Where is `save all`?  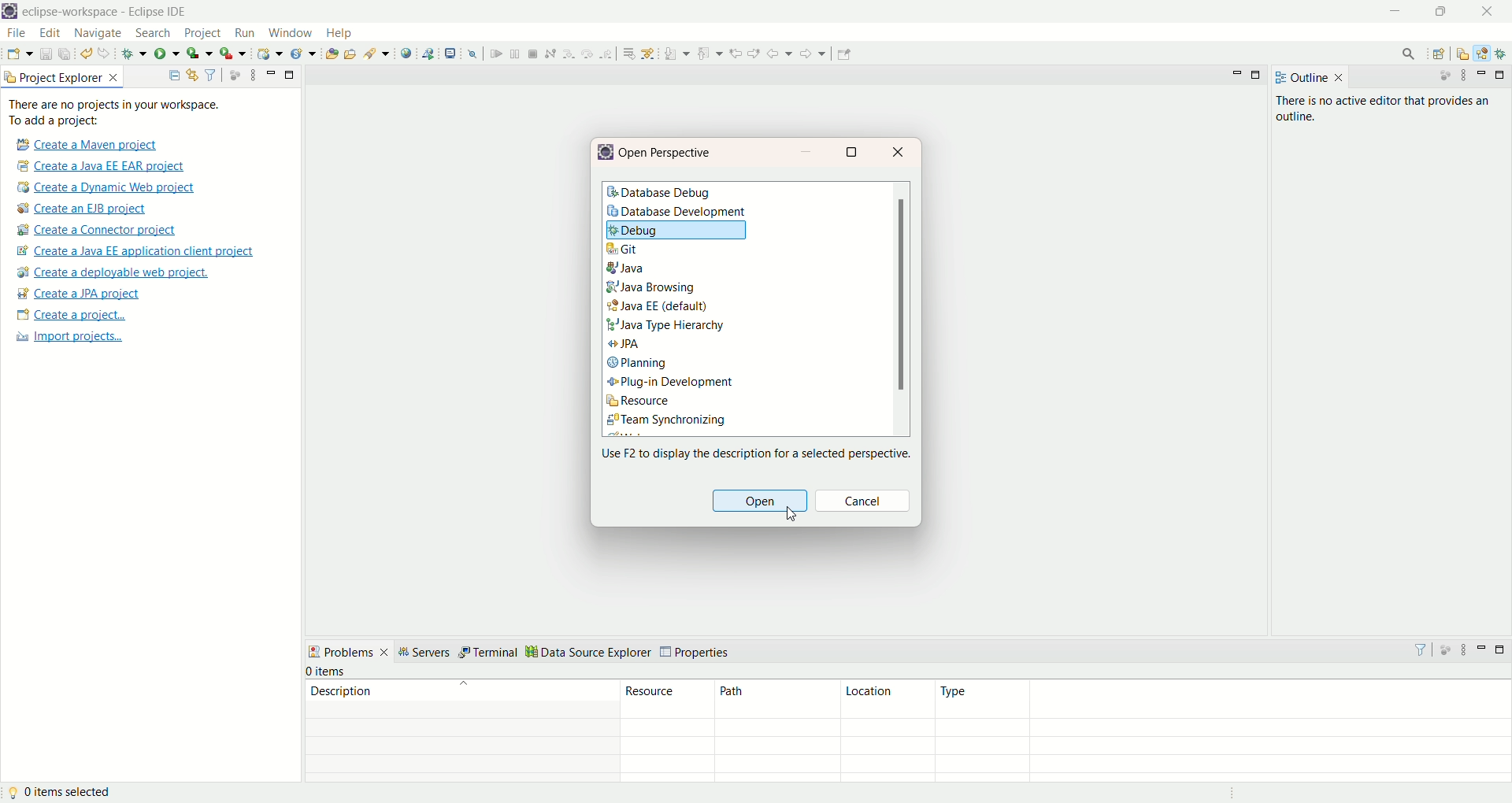 save all is located at coordinates (65, 54).